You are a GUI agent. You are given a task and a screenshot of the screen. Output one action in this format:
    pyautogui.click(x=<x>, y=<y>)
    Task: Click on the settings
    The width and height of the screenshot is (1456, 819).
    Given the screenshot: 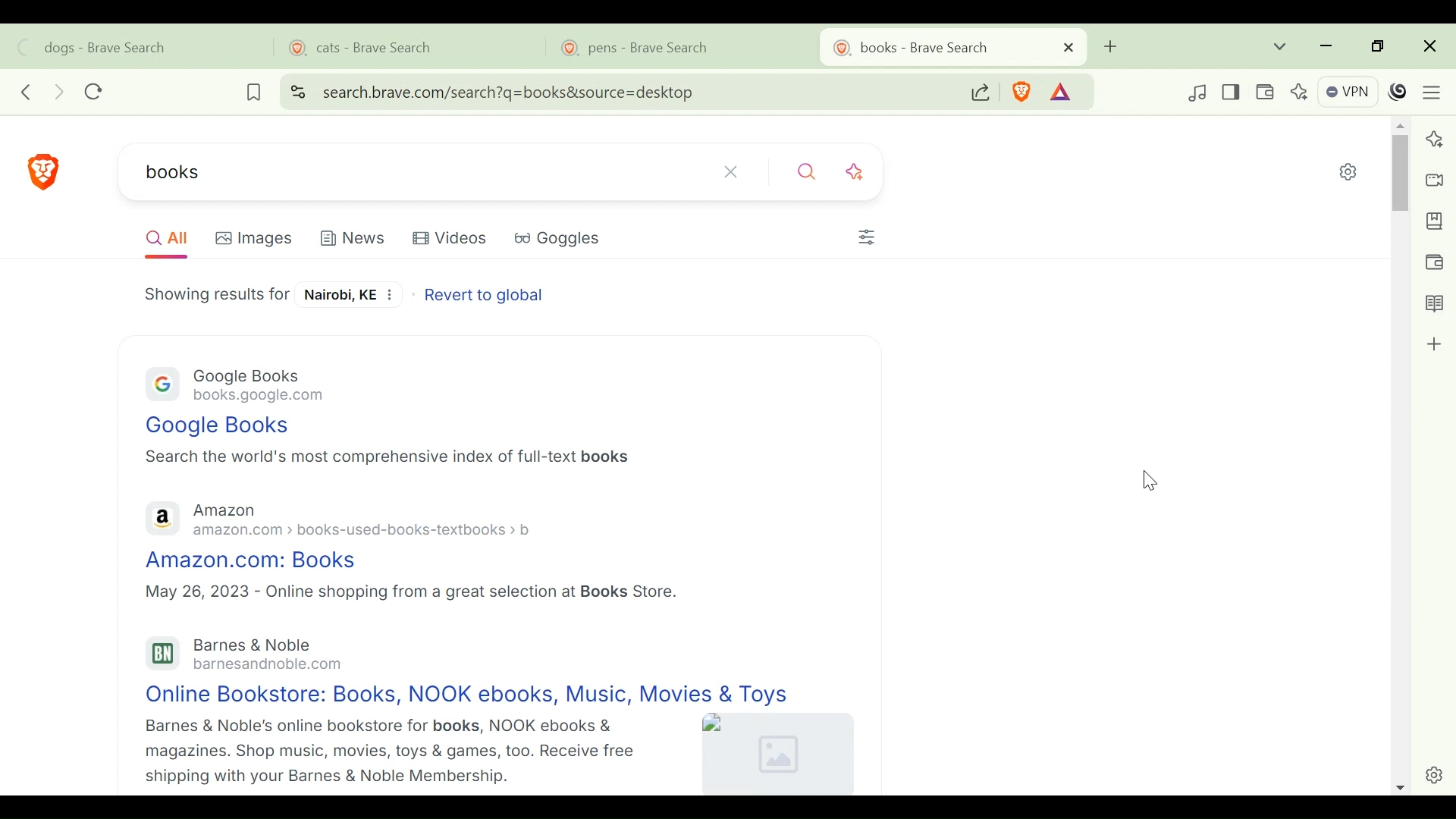 What is the action you would take?
    pyautogui.click(x=1439, y=771)
    